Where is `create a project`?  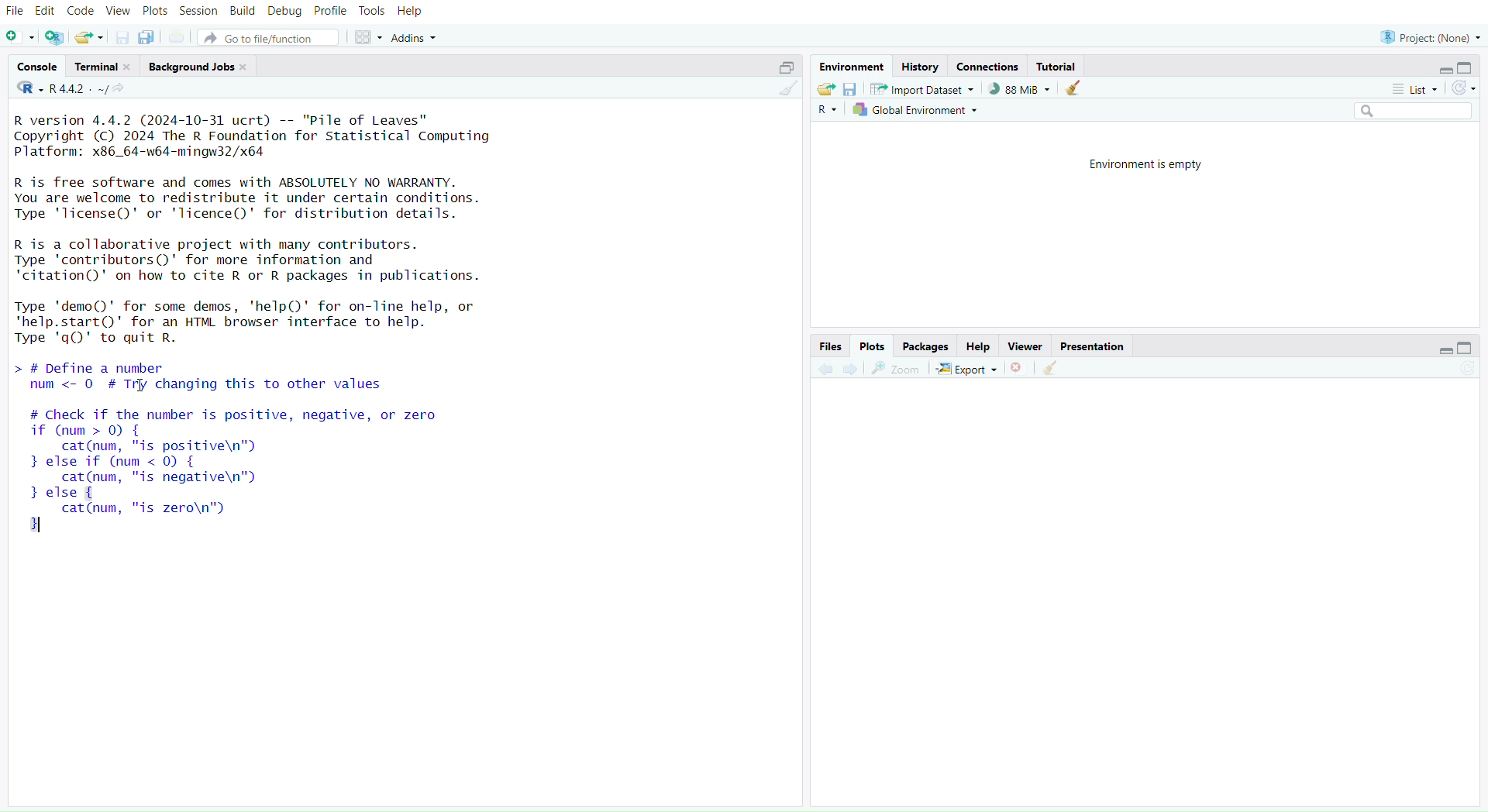
create a project is located at coordinates (55, 38).